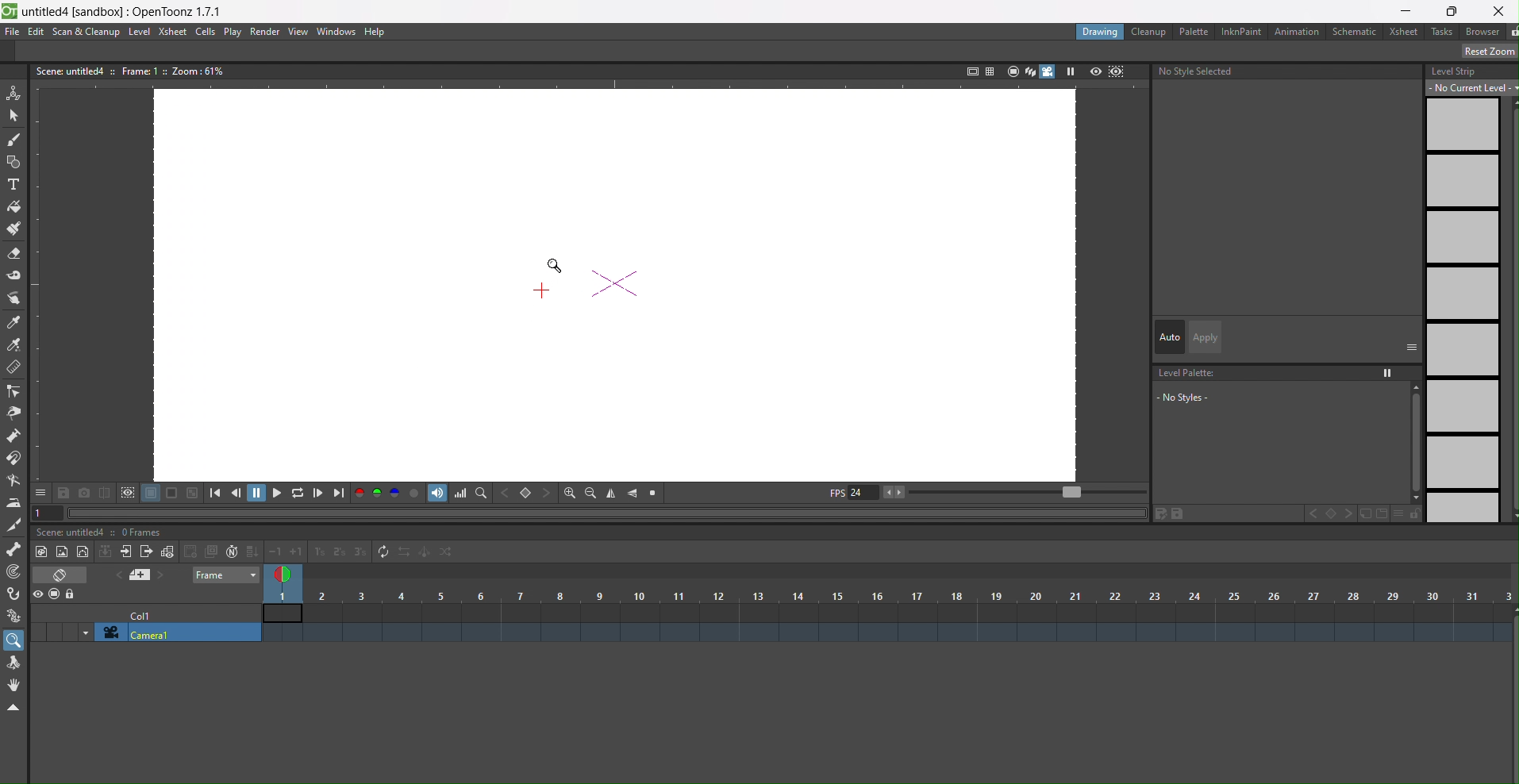 Image resolution: width=1519 pixels, height=784 pixels. I want to click on cells, so click(208, 32).